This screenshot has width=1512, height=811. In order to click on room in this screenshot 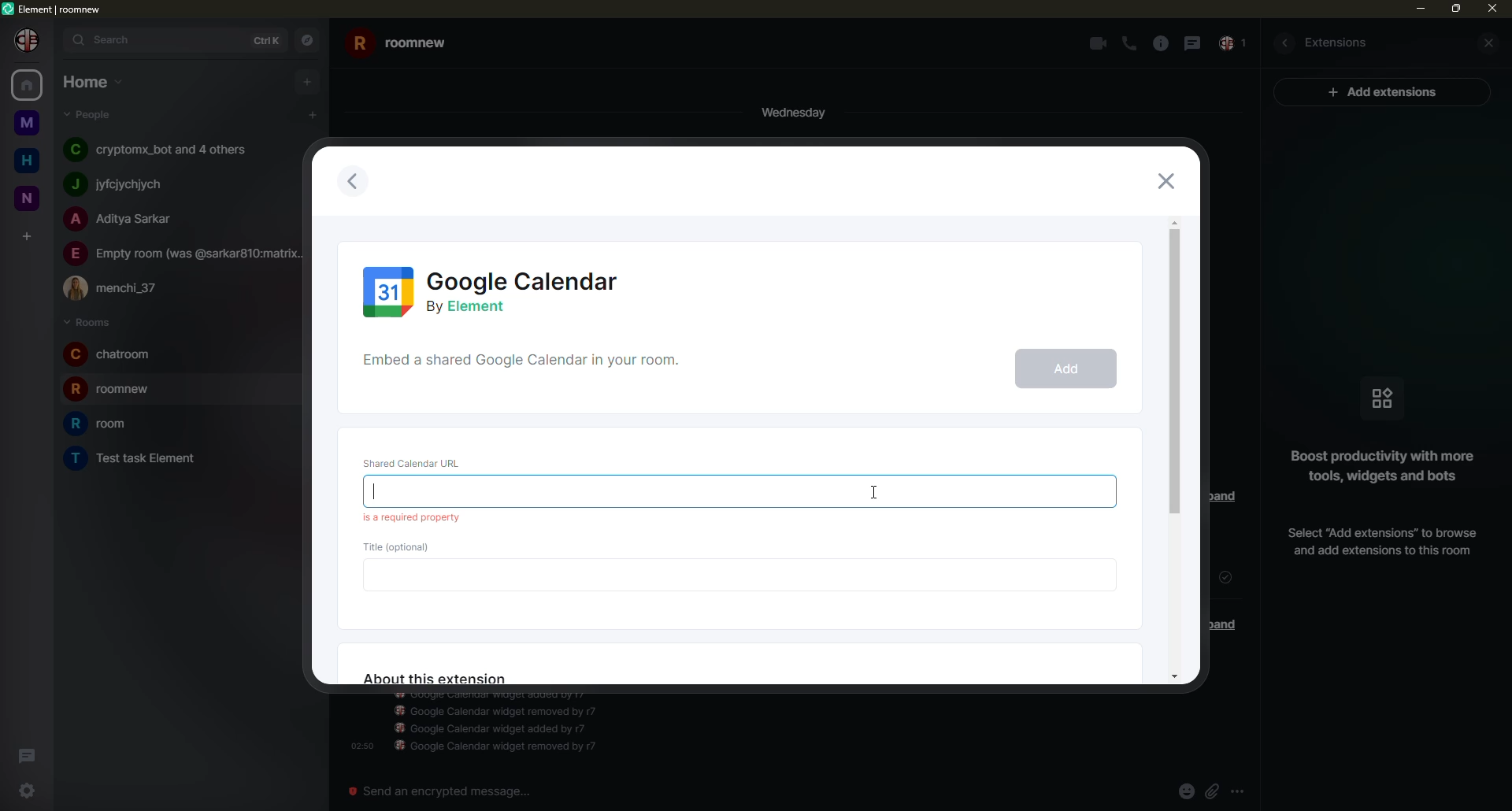, I will do `click(28, 124)`.